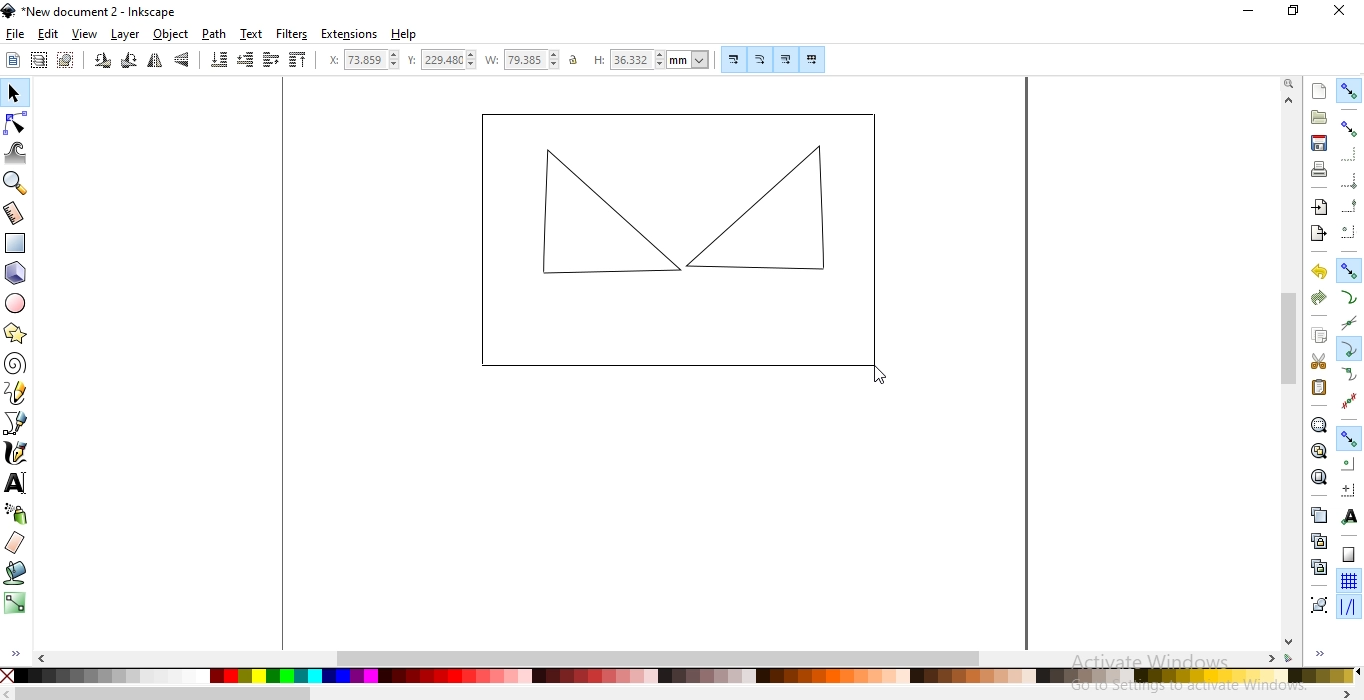 The width and height of the screenshot is (1364, 700). What do you see at coordinates (1320, 91) in the screenshot?
I see `create new document with default template` at bounding box center [1320, 91].